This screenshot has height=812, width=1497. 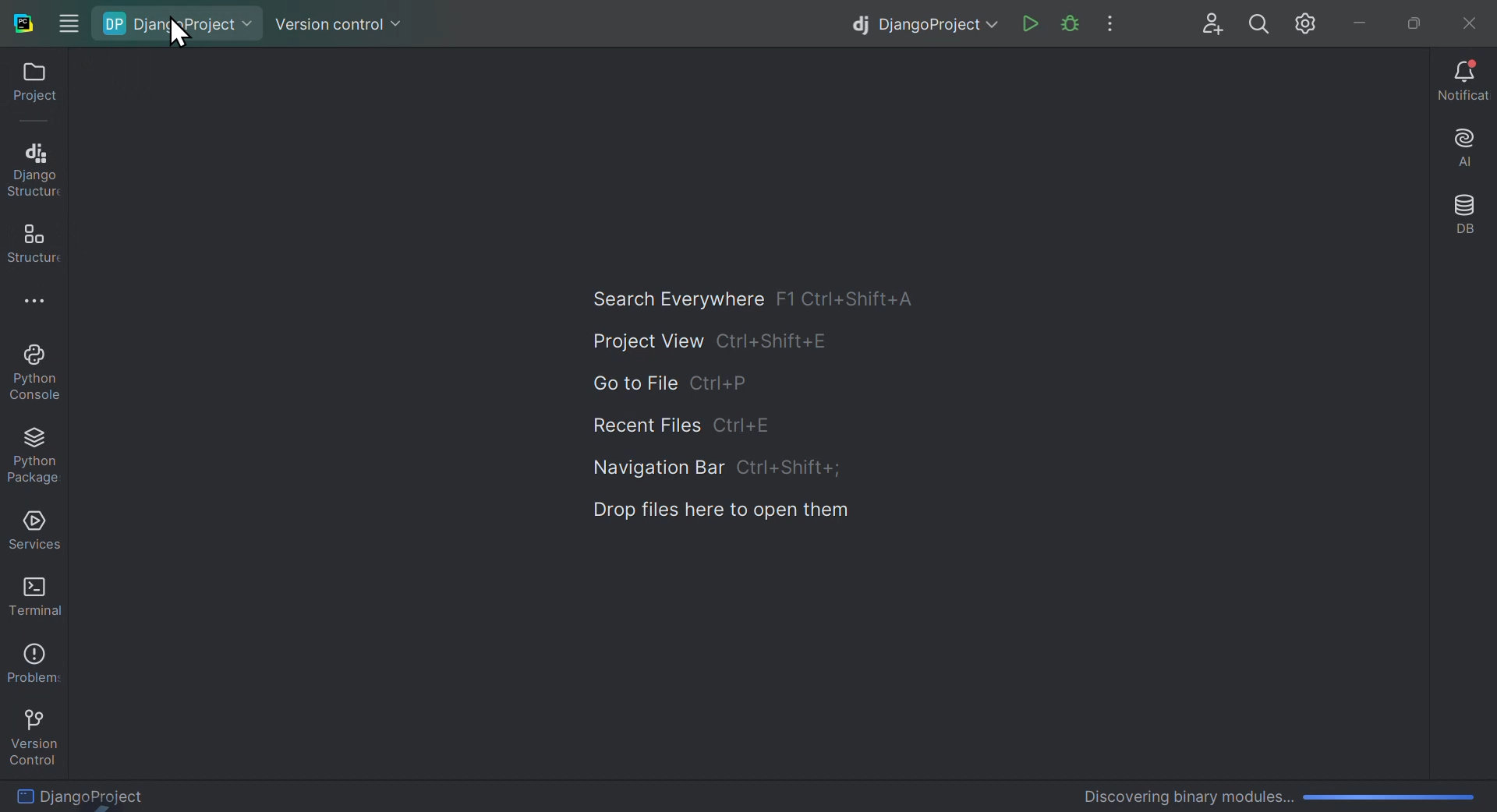 What do you see at coordinates (176, 33) in the screenshot?
I see `Crusor` at bounding box center [176, 33].